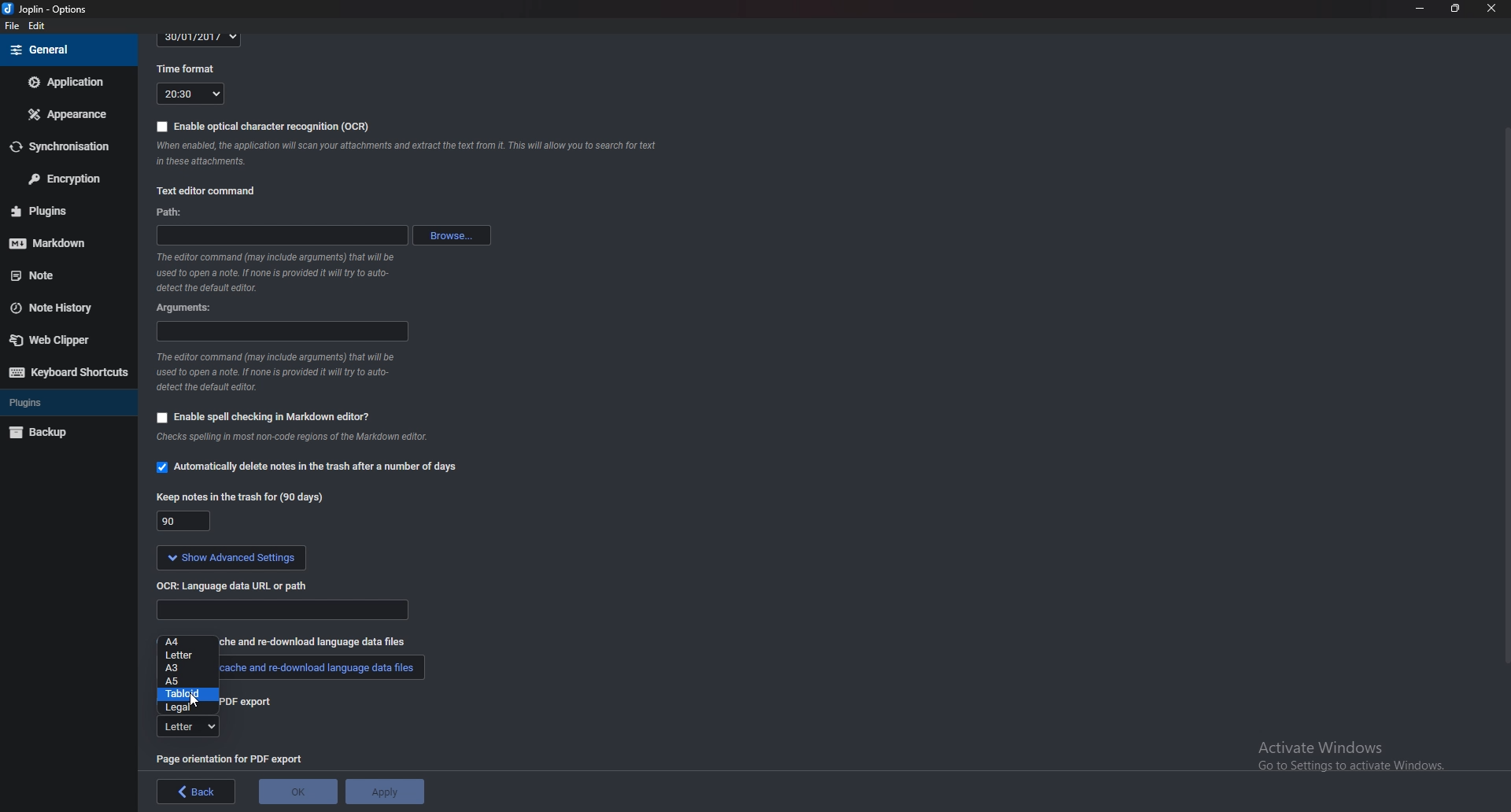  What do you see at coordinates (1350, 764) in the screenshot?
I see `activate windows` at bounding box center [1350, 764].